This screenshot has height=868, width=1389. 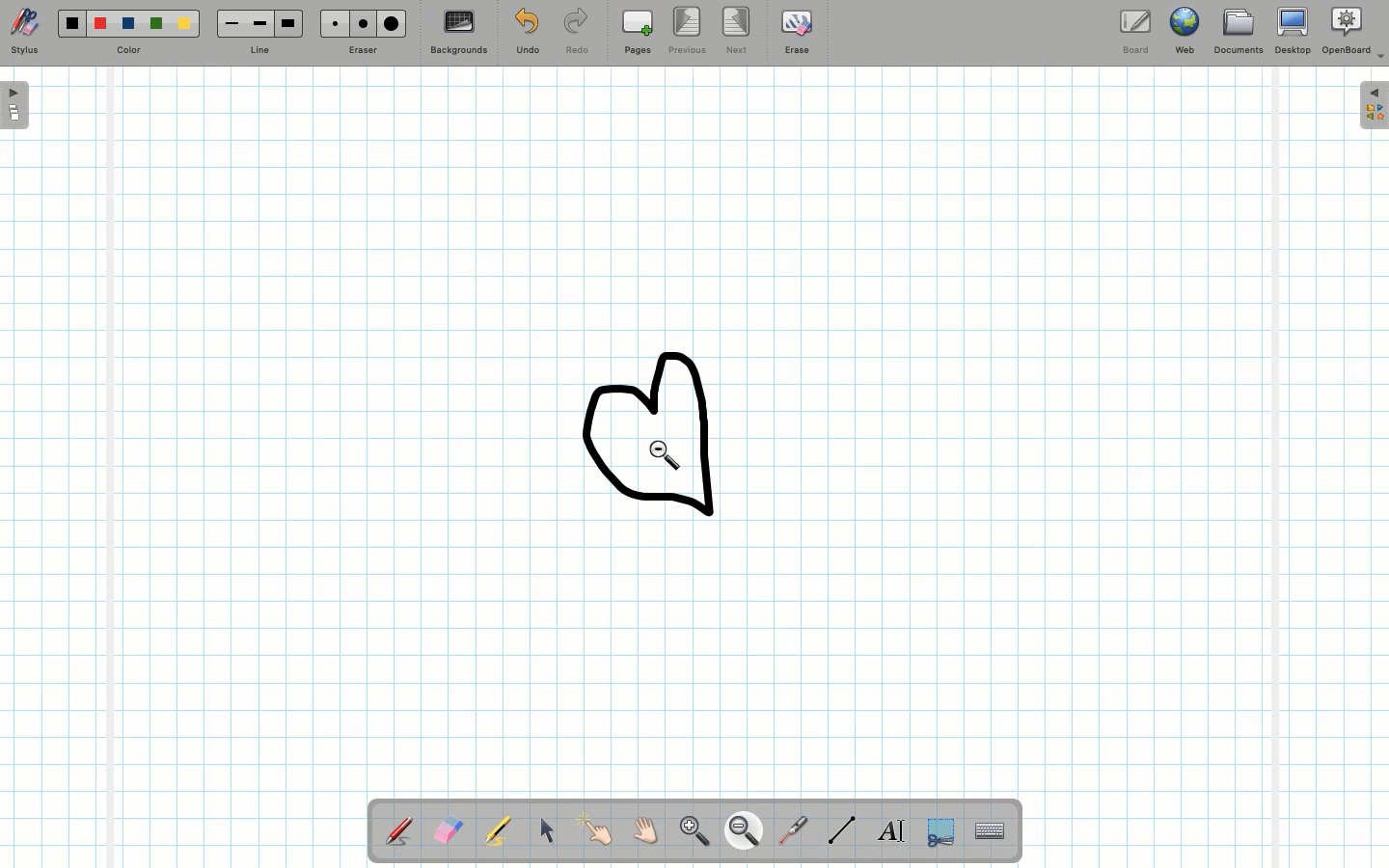 I want to click on Undo, so click(x=528, y=33).